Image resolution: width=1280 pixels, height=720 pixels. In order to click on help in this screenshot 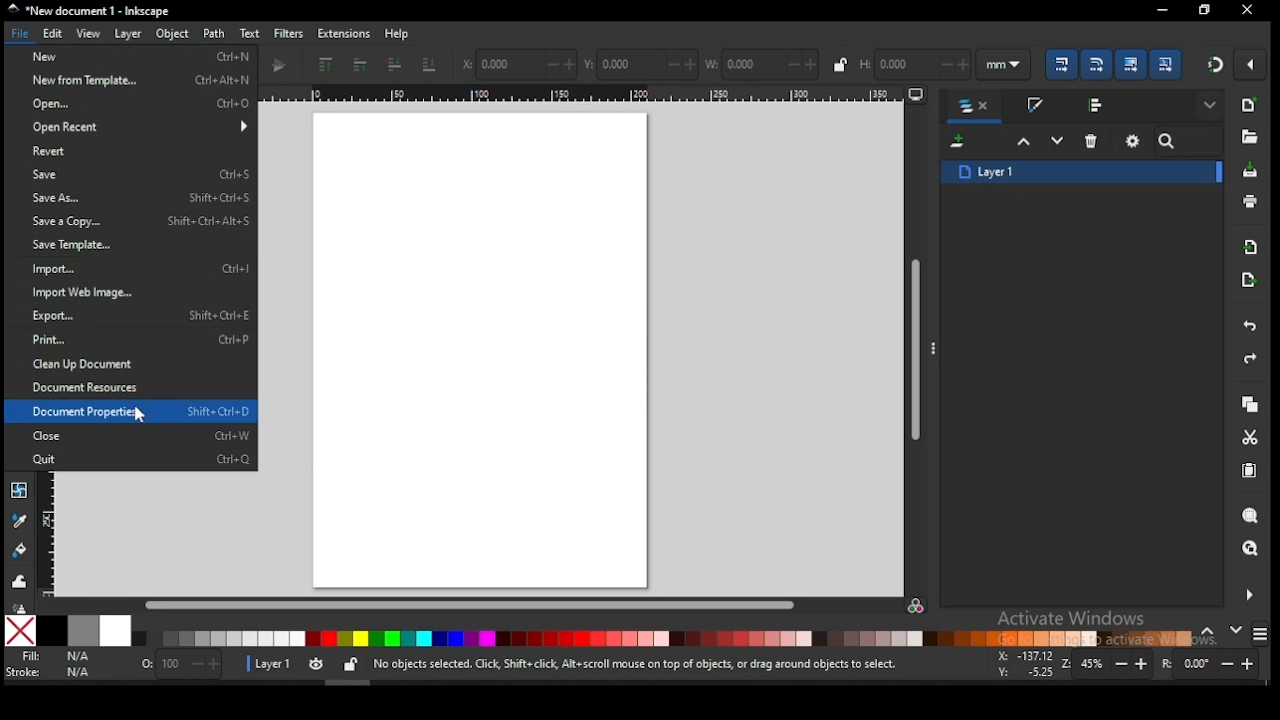, I will do `click(400, 33)`.